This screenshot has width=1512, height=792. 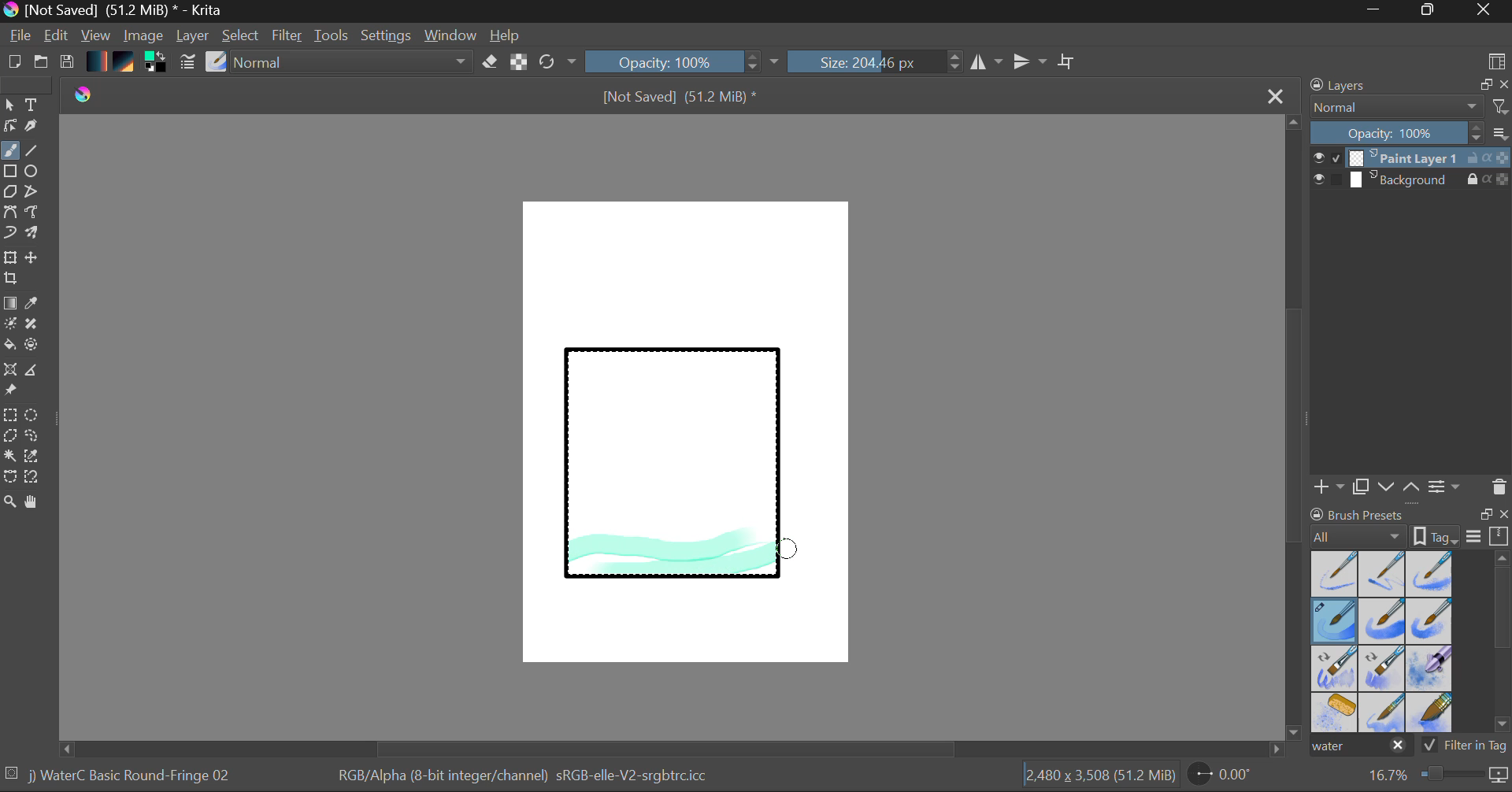 What do you see at coordinates (1228, 777) in the screenshot?
I see `Page Rotation` at bounding box center [1228, 777].